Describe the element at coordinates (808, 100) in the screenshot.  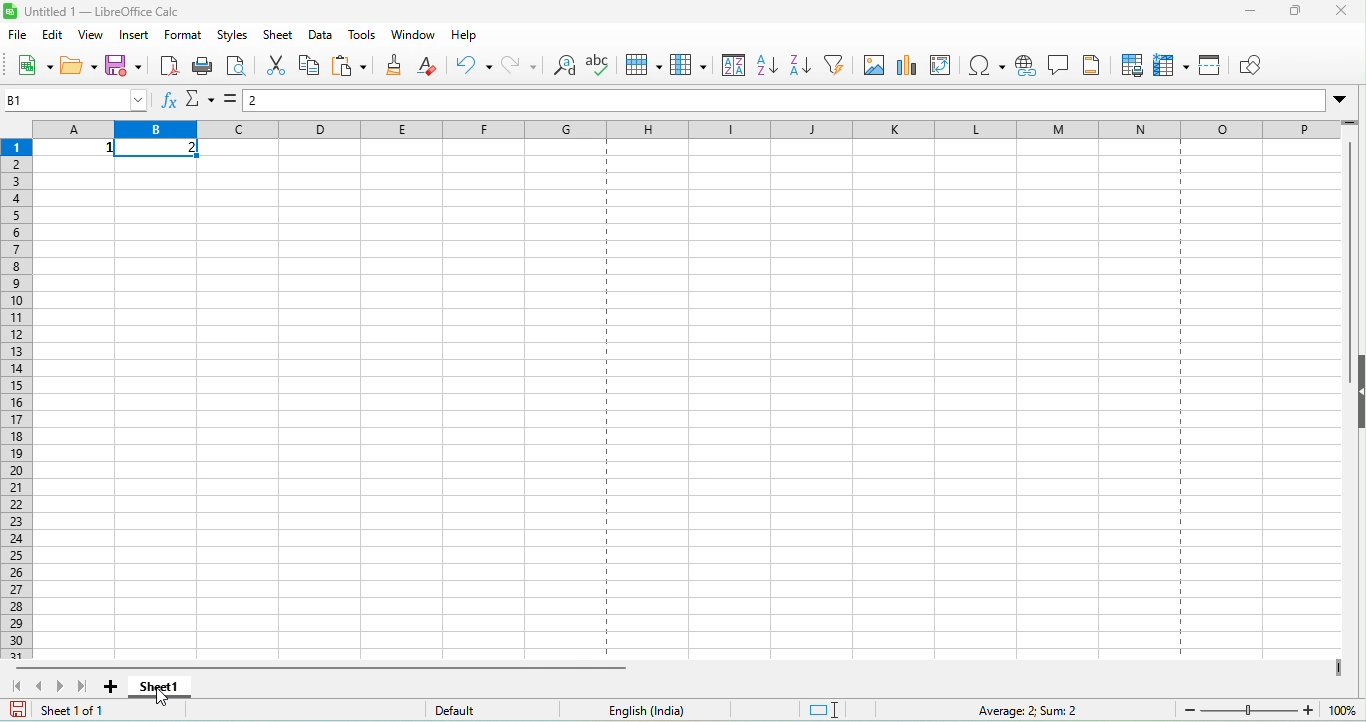
I see `formula bar` at that location.